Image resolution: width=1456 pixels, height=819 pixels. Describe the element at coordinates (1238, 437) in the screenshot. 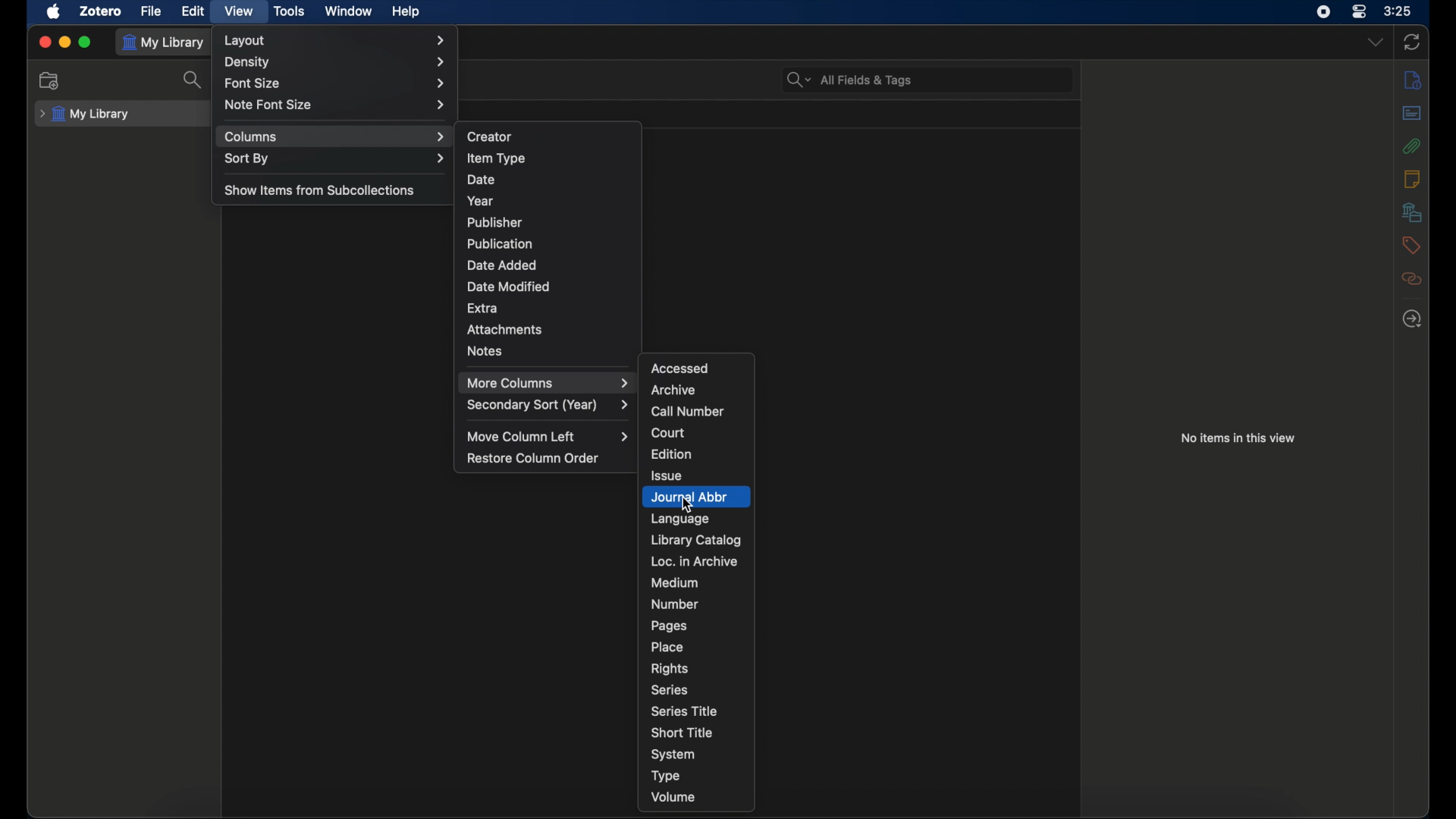

I see `no items in this view` at that location.